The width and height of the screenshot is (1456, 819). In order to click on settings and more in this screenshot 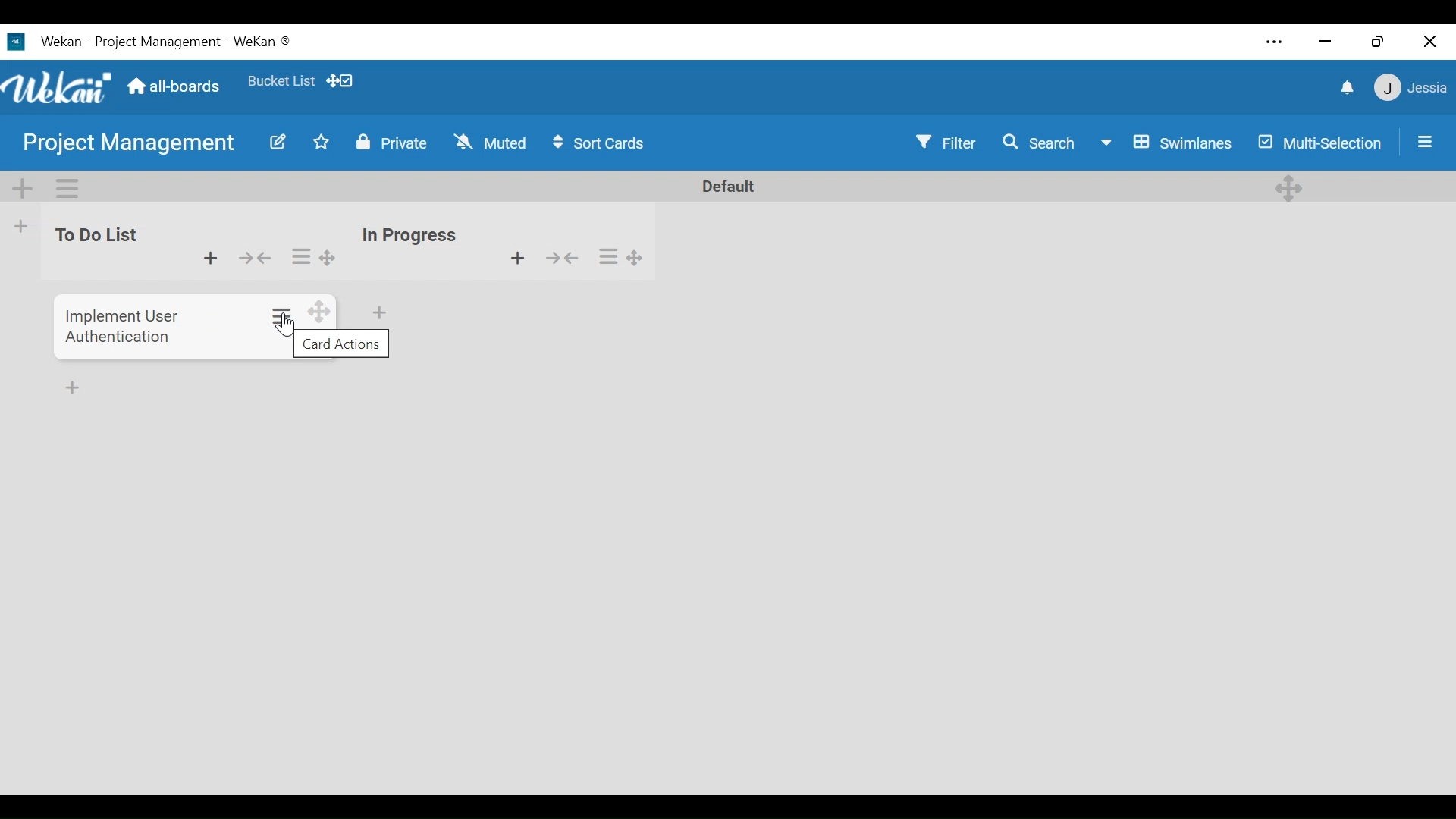, I will do `click(1272, 42)`.